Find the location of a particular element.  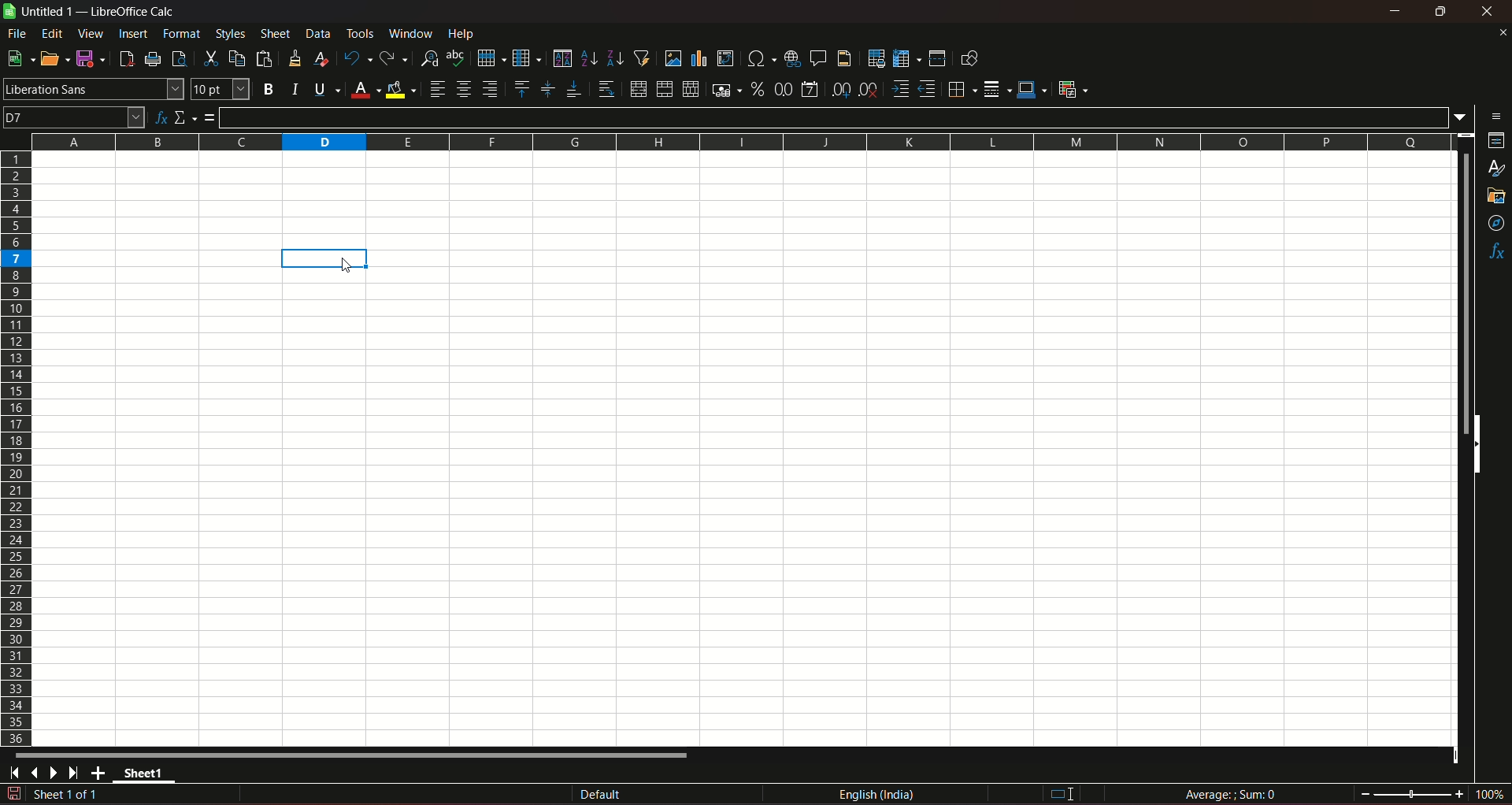

horizontal scrollbar is located at coordinates (353, 755).